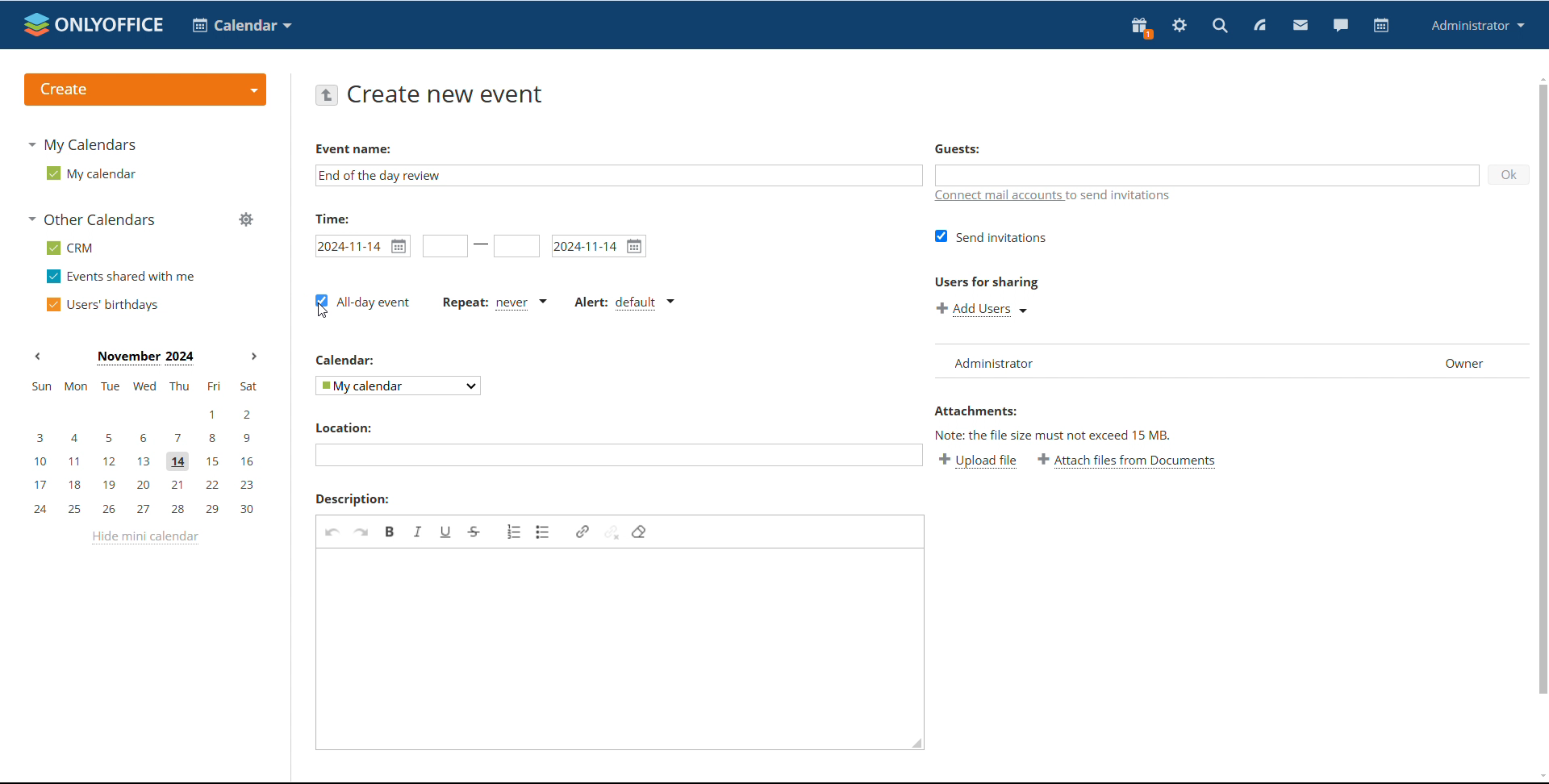  Describe the element at coordinates (37, 355) in the screenshot. I see `previous month` at that location.